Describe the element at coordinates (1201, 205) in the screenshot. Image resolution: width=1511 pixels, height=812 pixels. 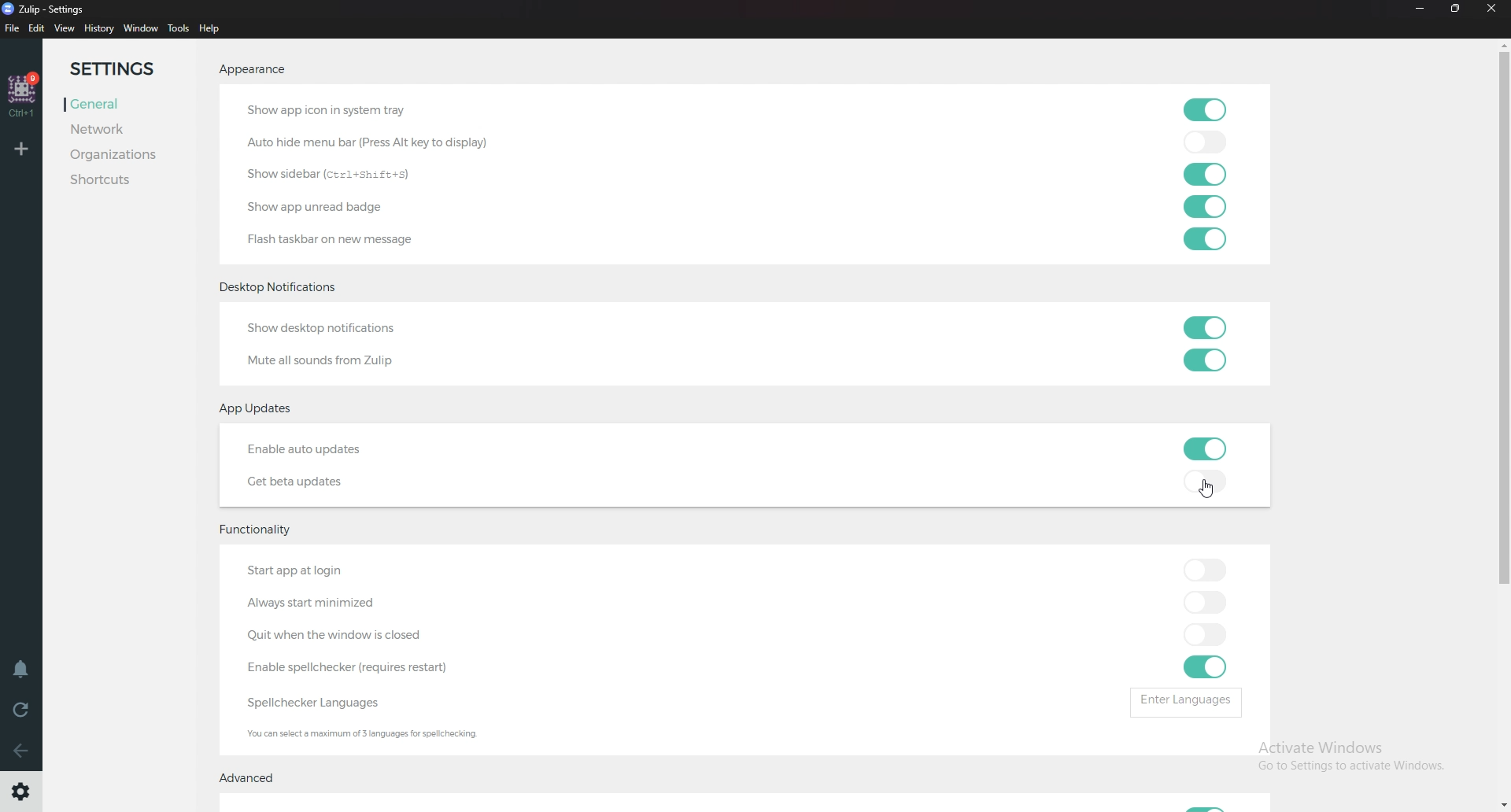
I see `toggle` at that location.